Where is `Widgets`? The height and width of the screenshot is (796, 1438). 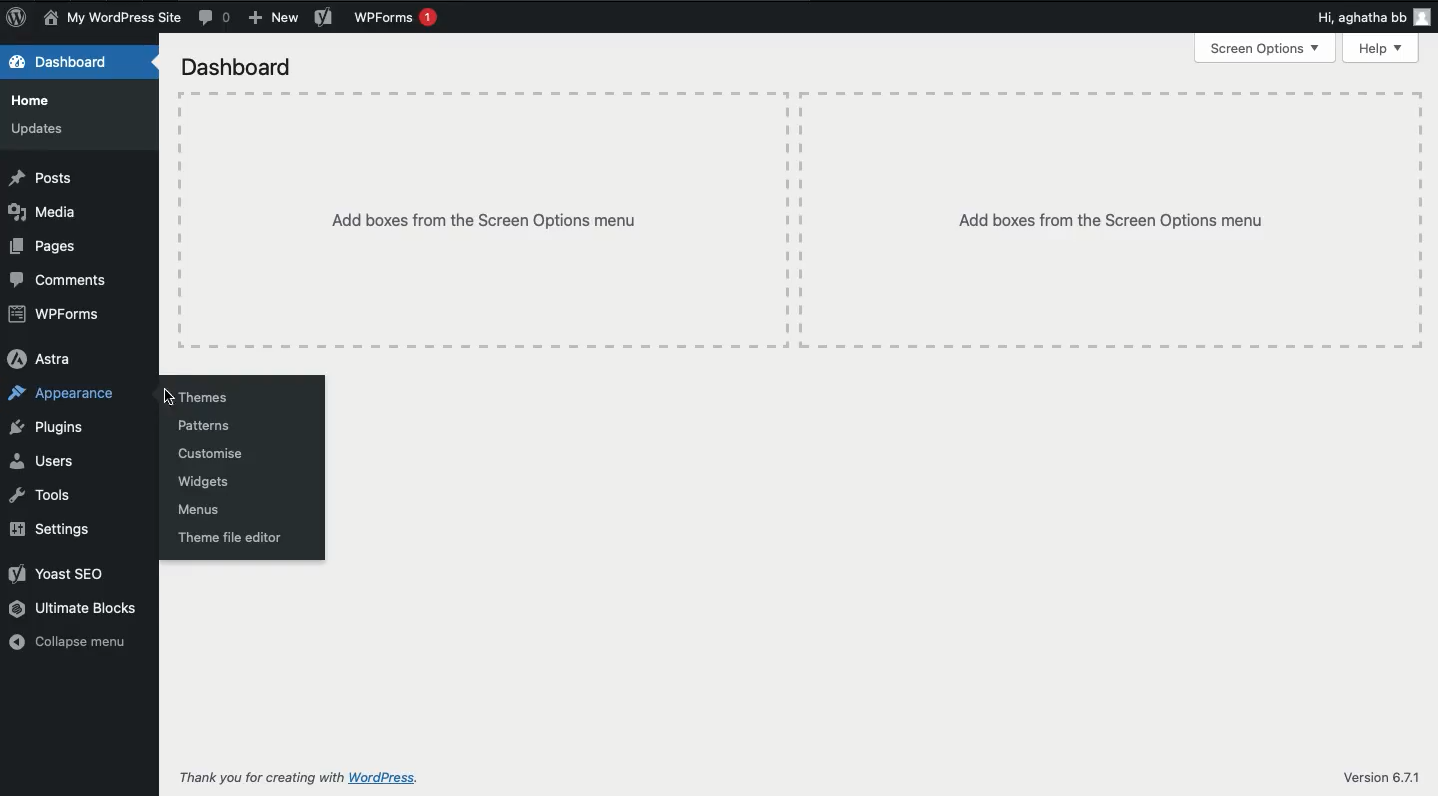 Widgets is located at coordinates (207, 482).